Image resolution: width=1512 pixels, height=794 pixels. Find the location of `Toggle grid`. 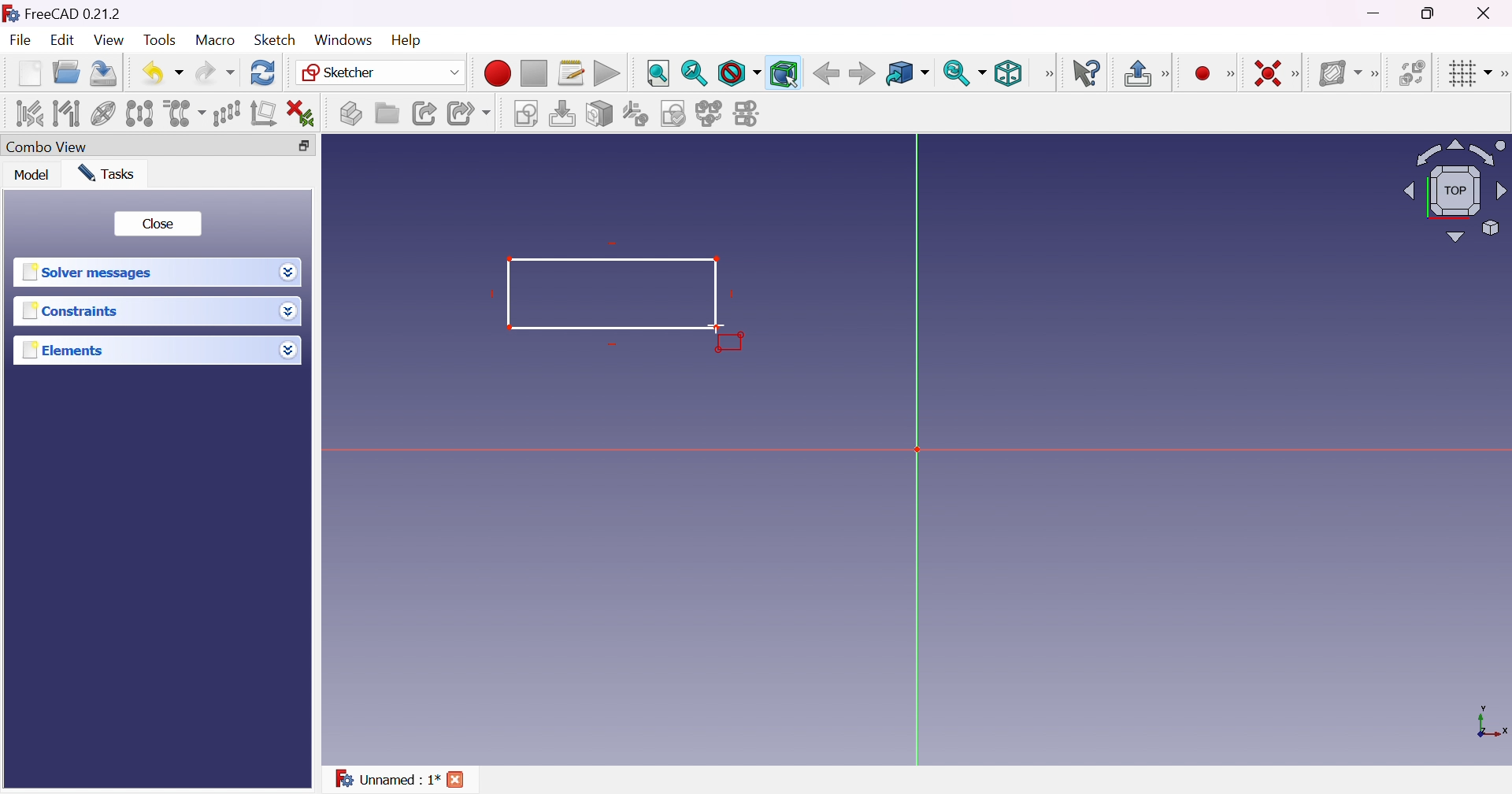

Toggle grid is located at coordinates (1466, 74).